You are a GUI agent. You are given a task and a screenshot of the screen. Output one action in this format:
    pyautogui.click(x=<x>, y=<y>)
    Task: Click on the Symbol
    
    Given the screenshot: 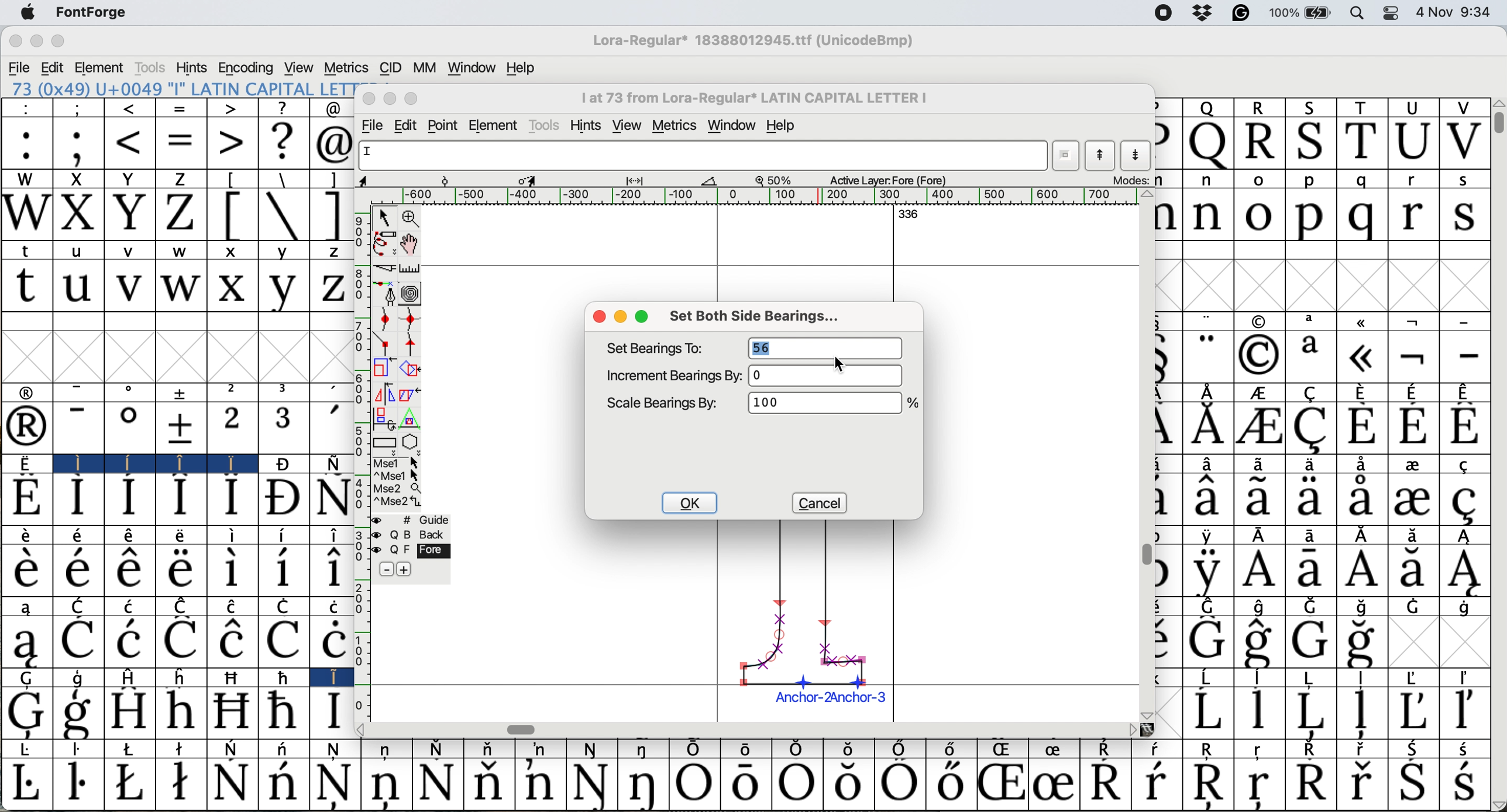 What is the action you would take?
    pyautogui.click(x=236, y=677)
    